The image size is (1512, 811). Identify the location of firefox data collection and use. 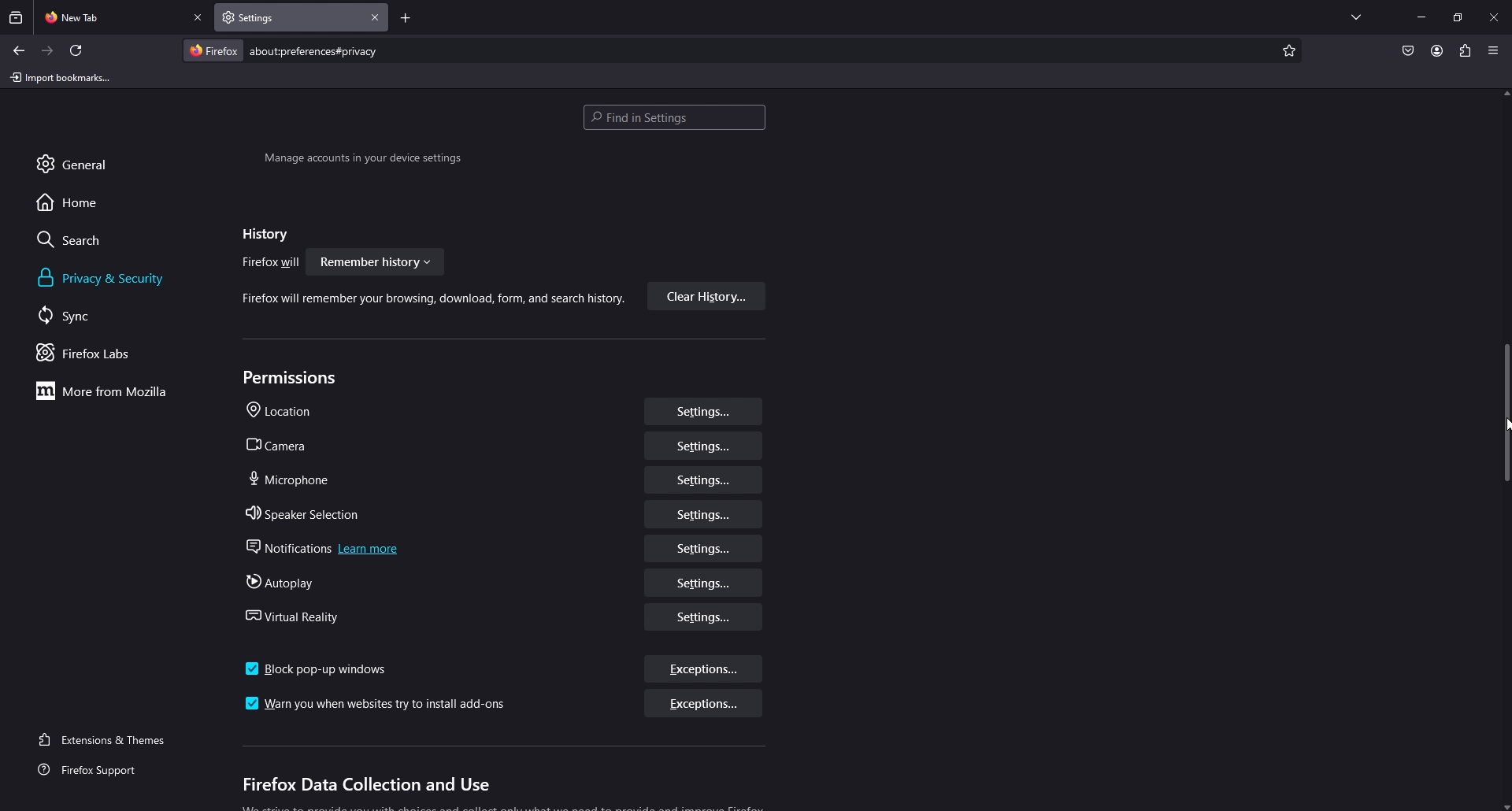
(376, 786).